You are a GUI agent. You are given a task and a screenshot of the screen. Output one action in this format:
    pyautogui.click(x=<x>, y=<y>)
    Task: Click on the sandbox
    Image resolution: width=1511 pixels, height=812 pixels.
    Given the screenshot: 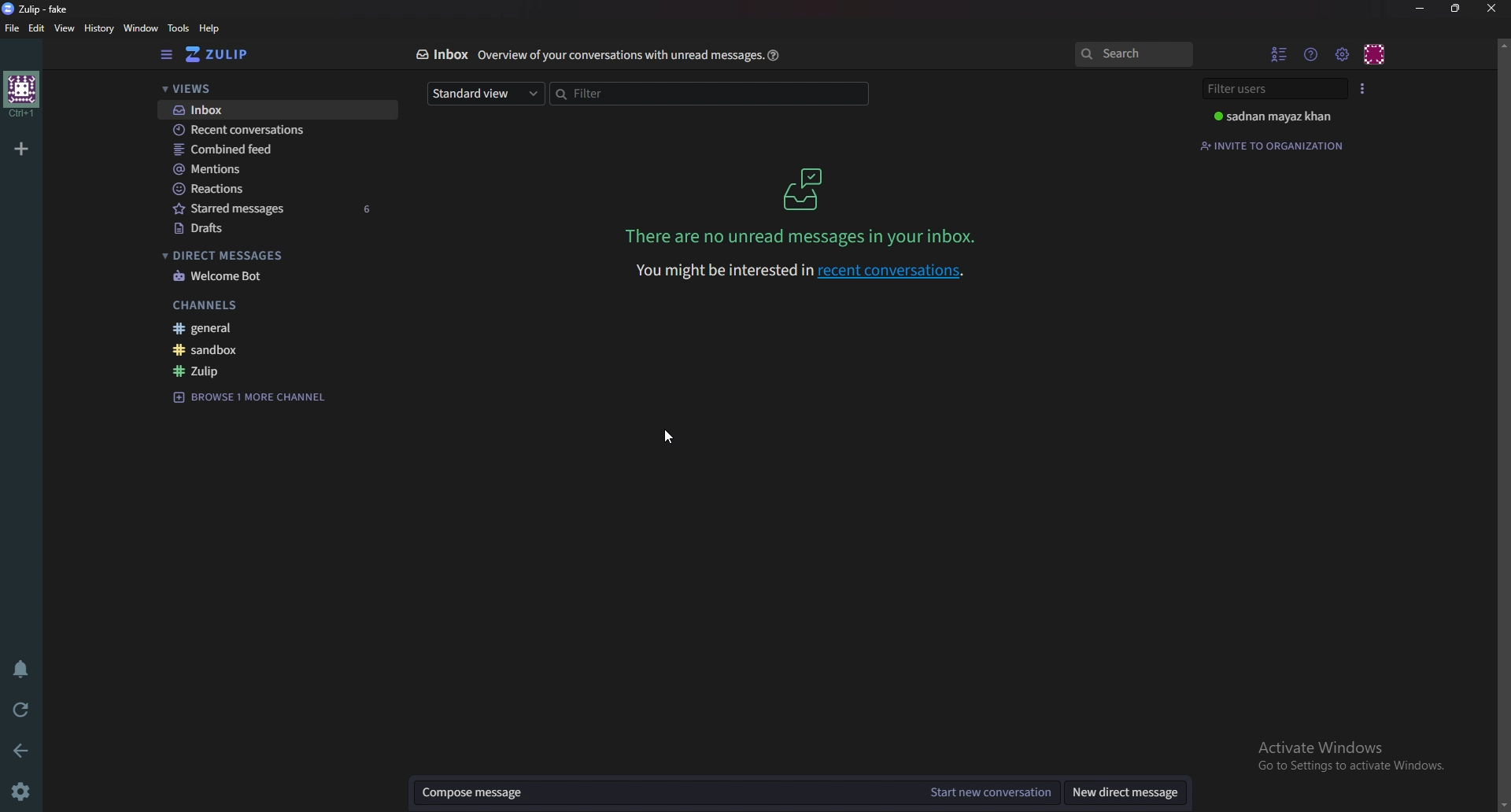 What is the action you would take?
    pyautogui.click(x=276, y=351)
    